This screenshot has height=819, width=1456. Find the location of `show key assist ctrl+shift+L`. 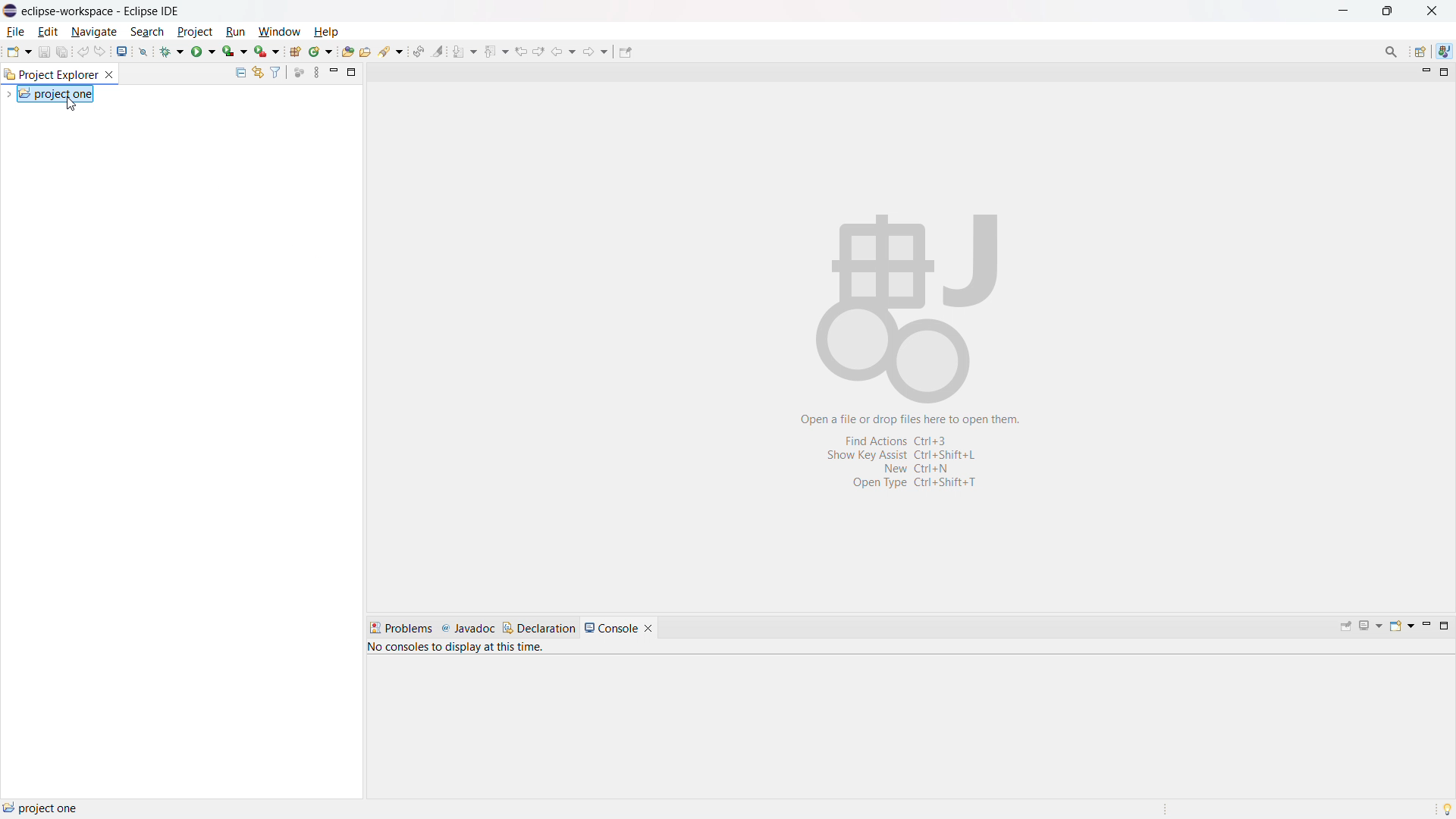

show key assist ctrl+shift+L is located at coordinates (898, 454).